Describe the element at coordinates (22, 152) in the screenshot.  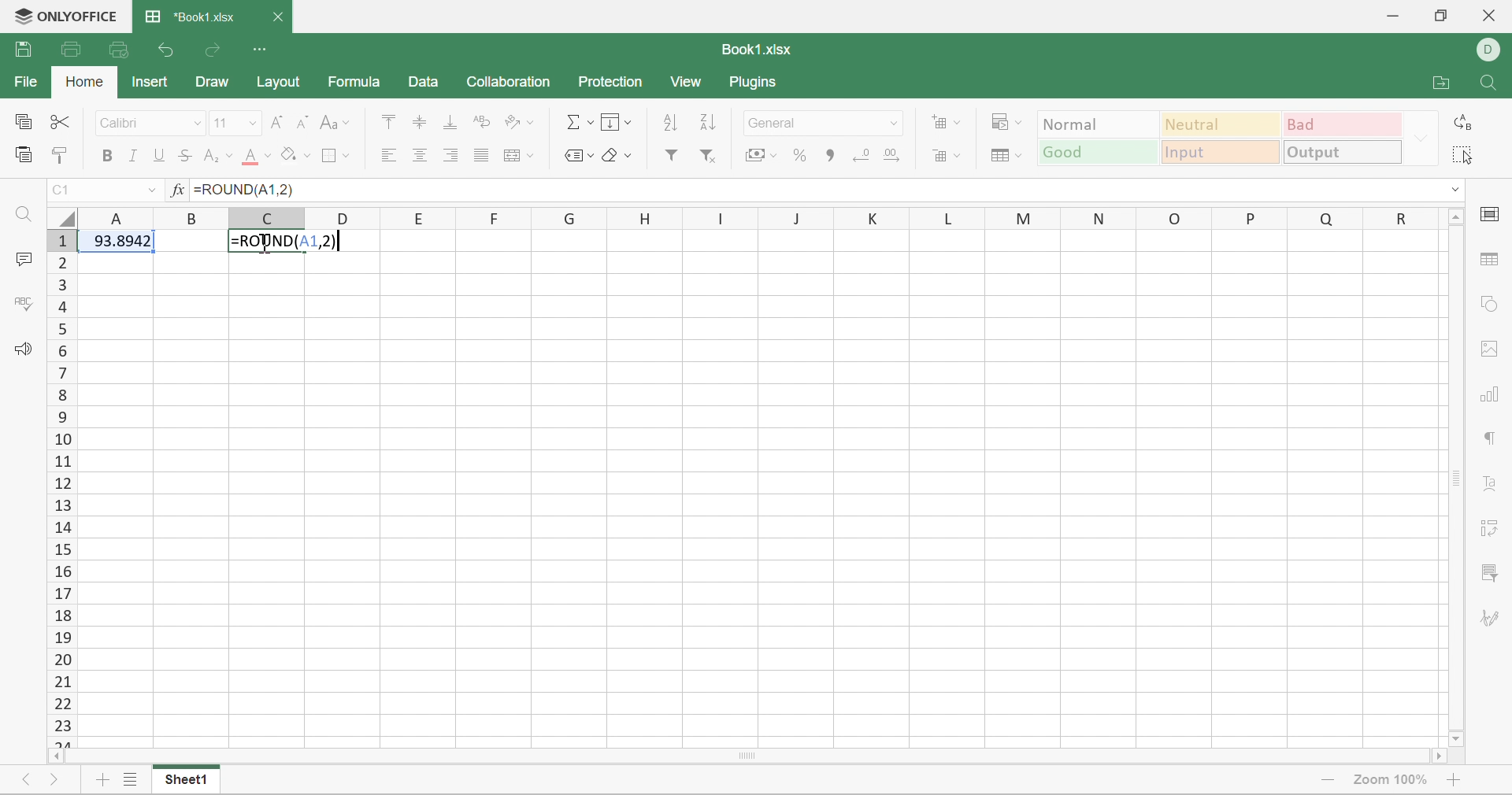
I see `Paste` at that location.